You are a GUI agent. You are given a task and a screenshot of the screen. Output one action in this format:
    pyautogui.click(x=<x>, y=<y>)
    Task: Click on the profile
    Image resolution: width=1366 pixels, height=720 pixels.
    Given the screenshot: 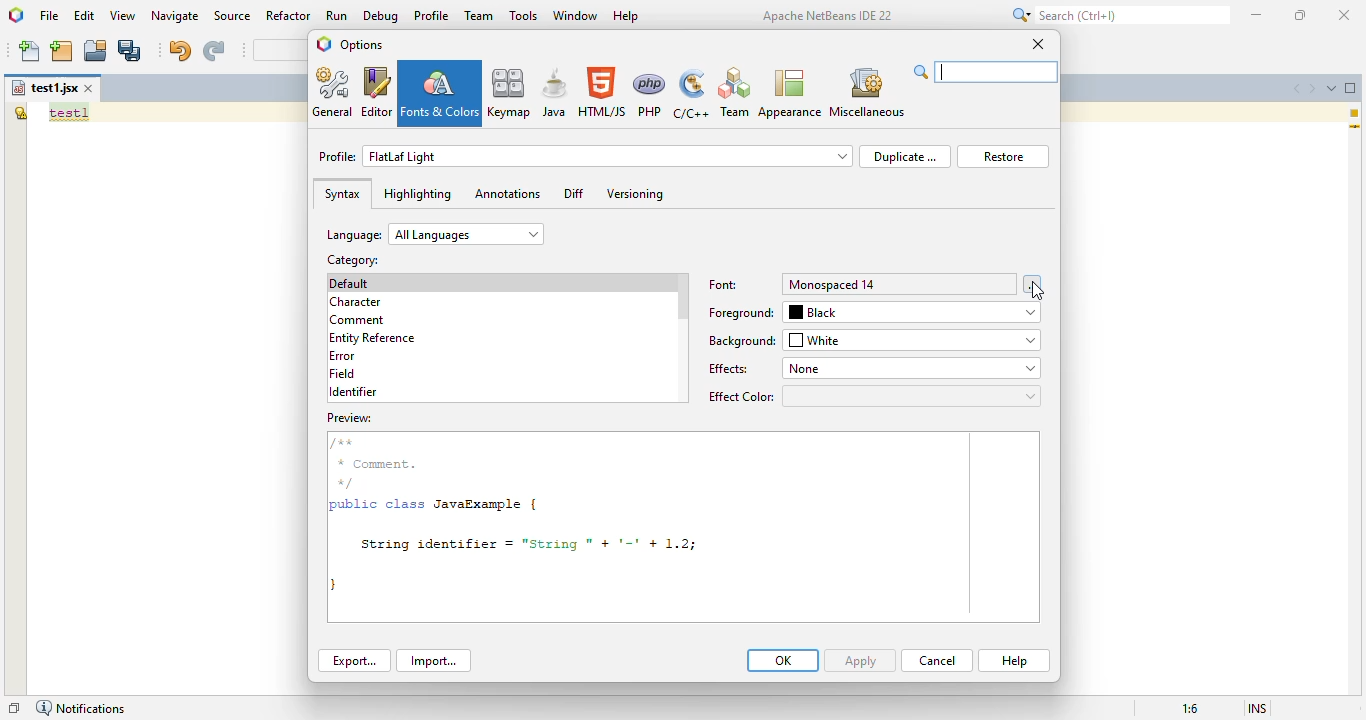 What is the action you would take?
    pyautogui.click(x=586, y=156)
    